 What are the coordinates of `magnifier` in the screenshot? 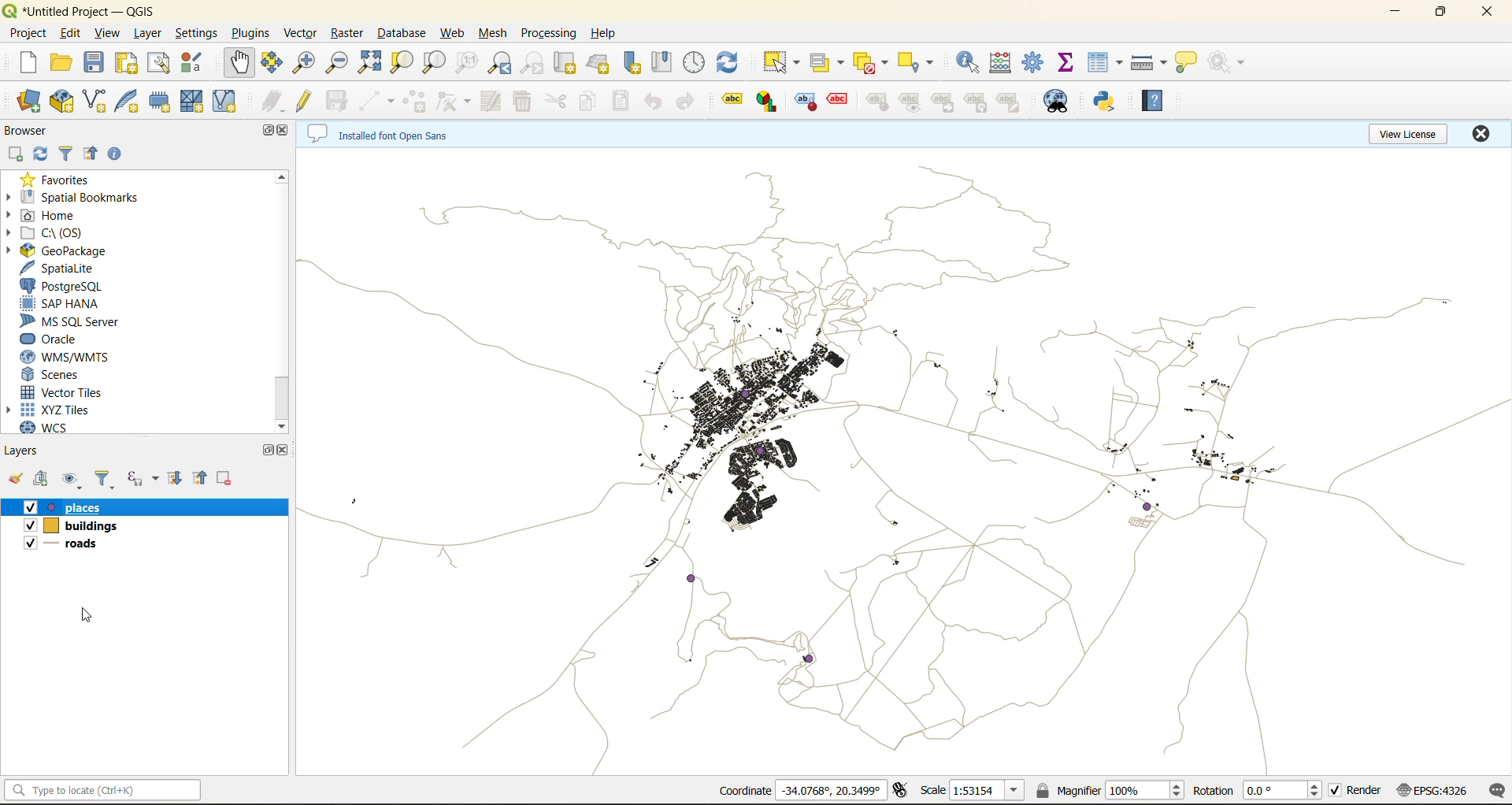 It's located at (1144, 790).